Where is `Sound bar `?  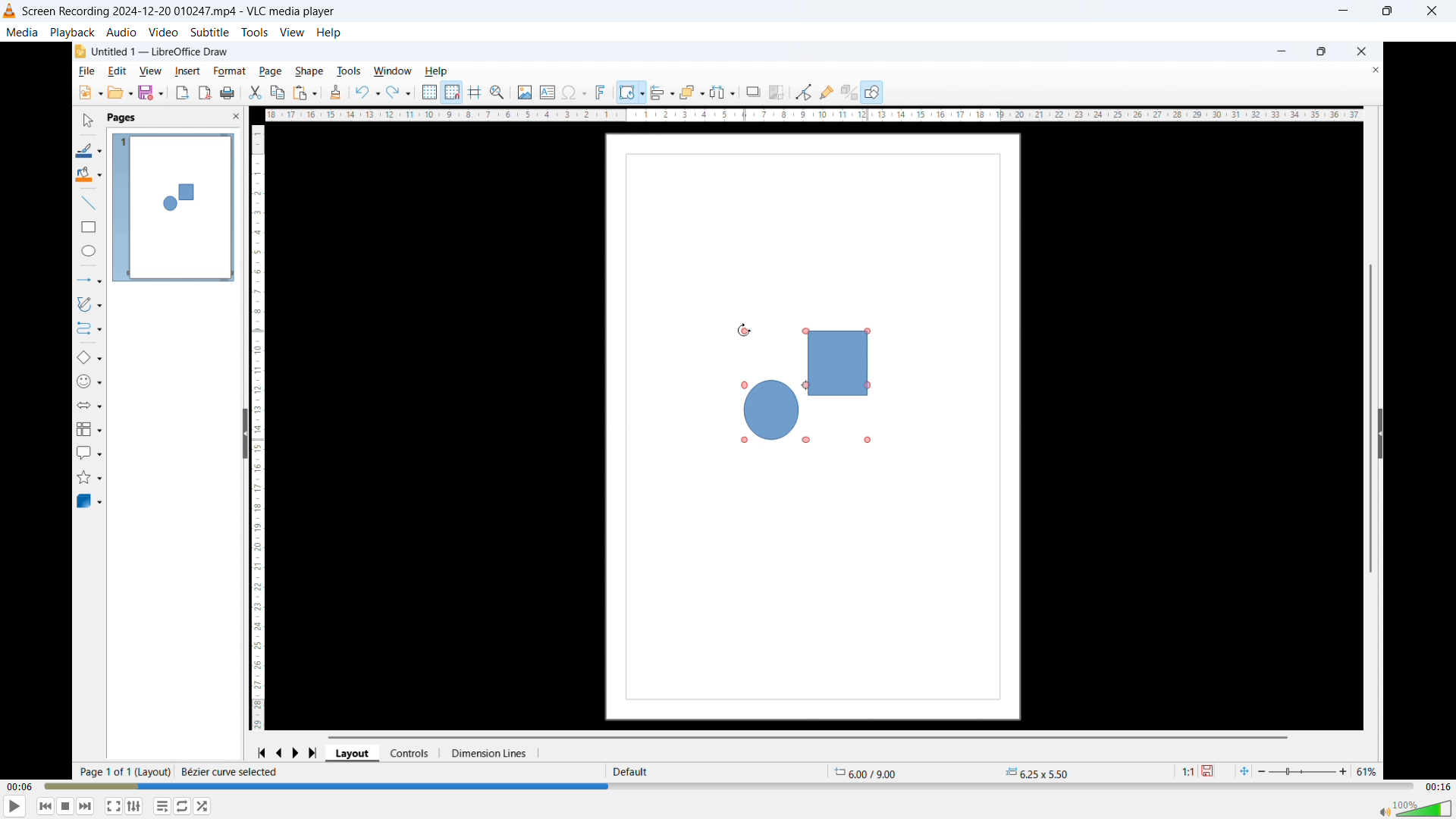
Sound bar  is located at coordinates (1411, 808).